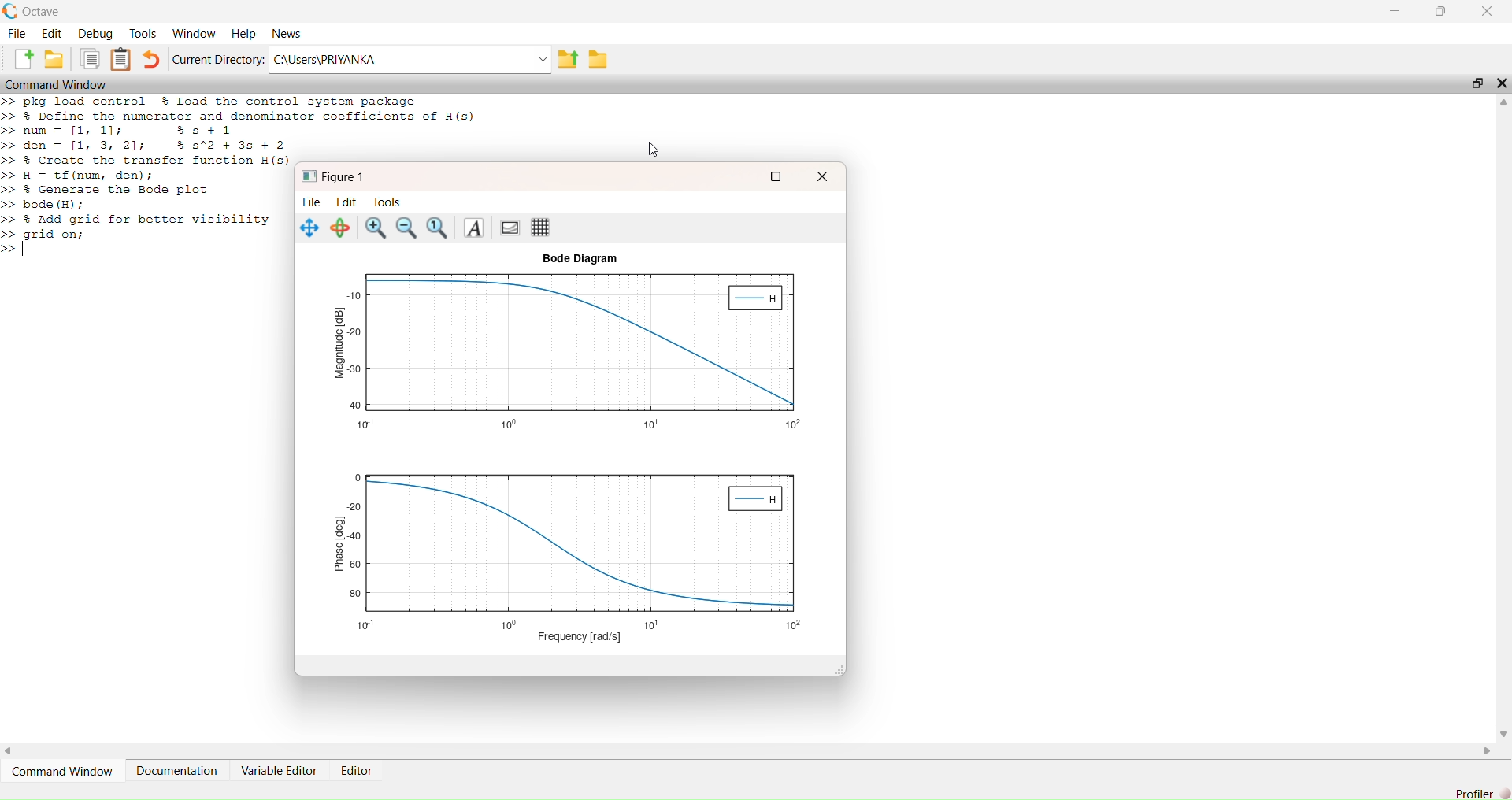 The height and width of the screenshot is (800, 1512). I want to click on Window, so click(193, 33).